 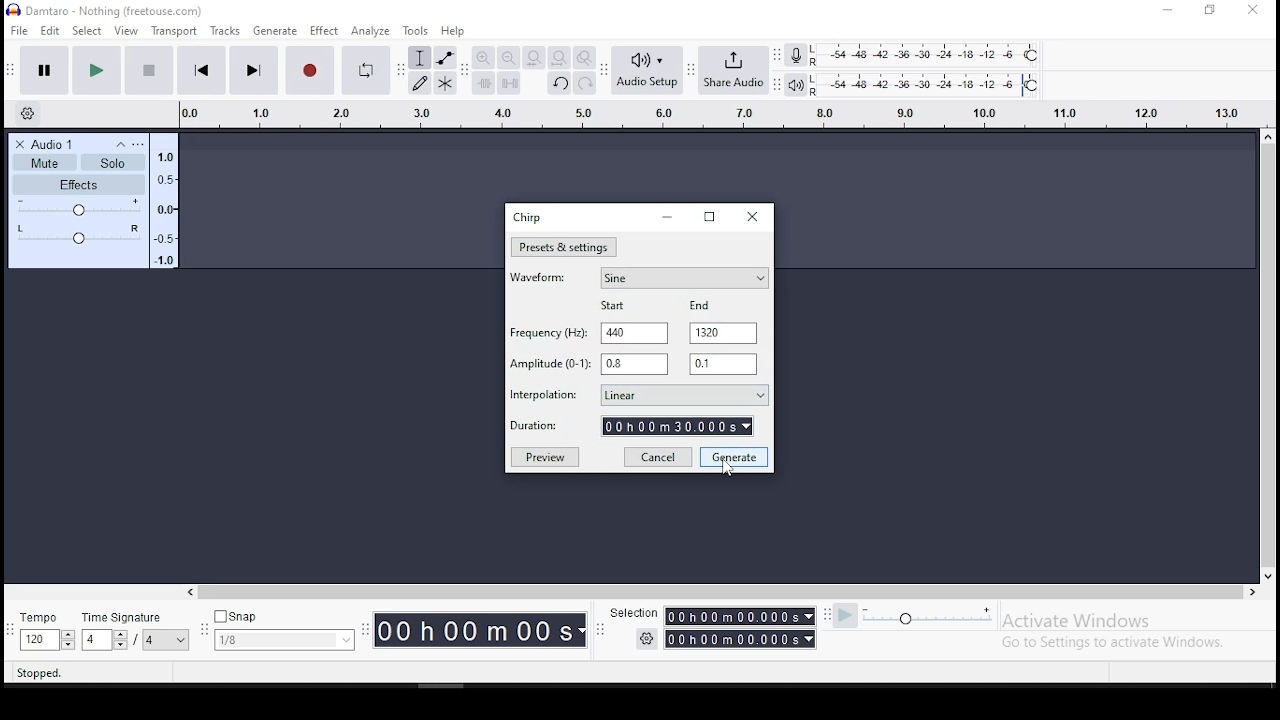 What do you see at coordinates (751, 215) in the screenshot?
I see `close window` at bounding box center [751, 215].